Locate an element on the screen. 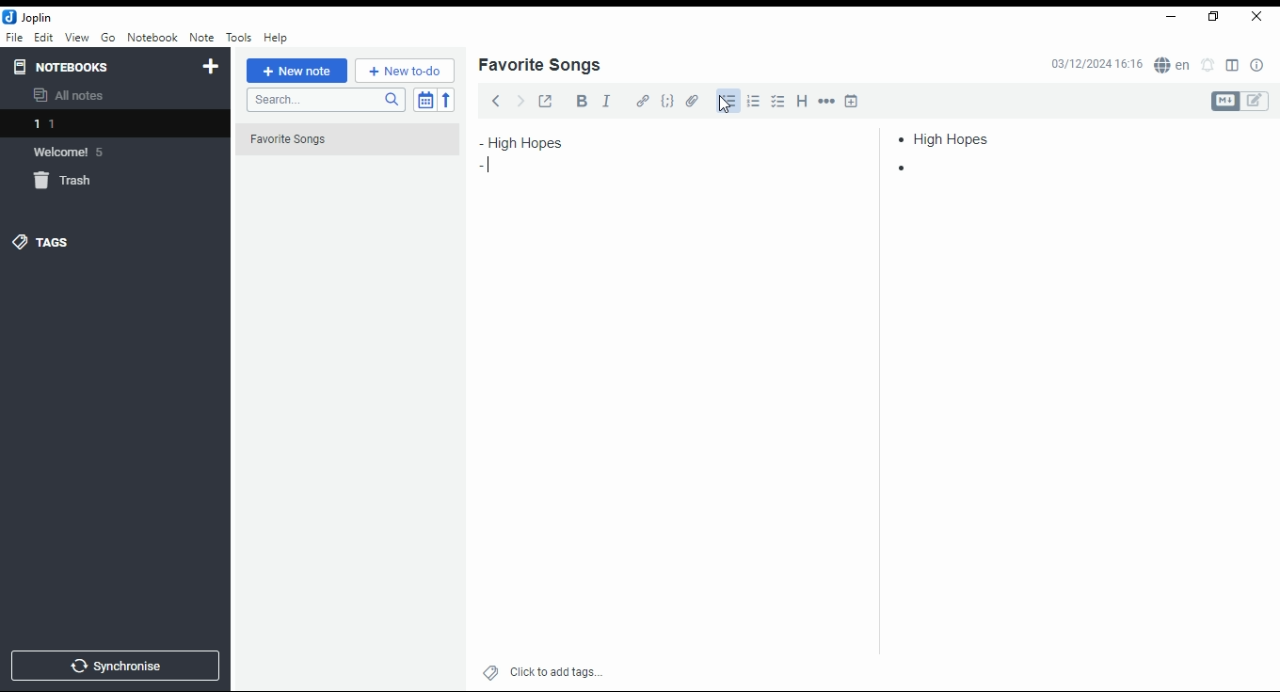  toggle layout is located at coordinates (1233, 66).